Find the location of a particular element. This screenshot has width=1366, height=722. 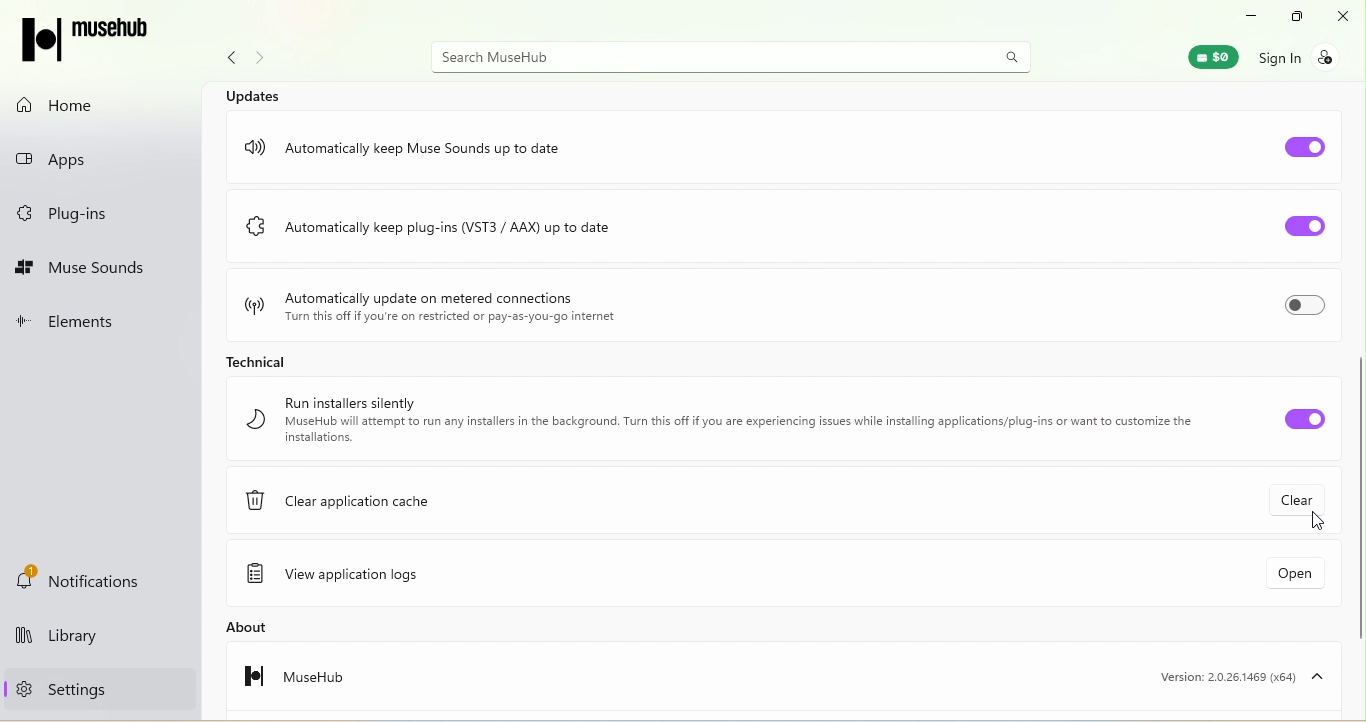

Toggle button is located at coordinates (1306, 143).